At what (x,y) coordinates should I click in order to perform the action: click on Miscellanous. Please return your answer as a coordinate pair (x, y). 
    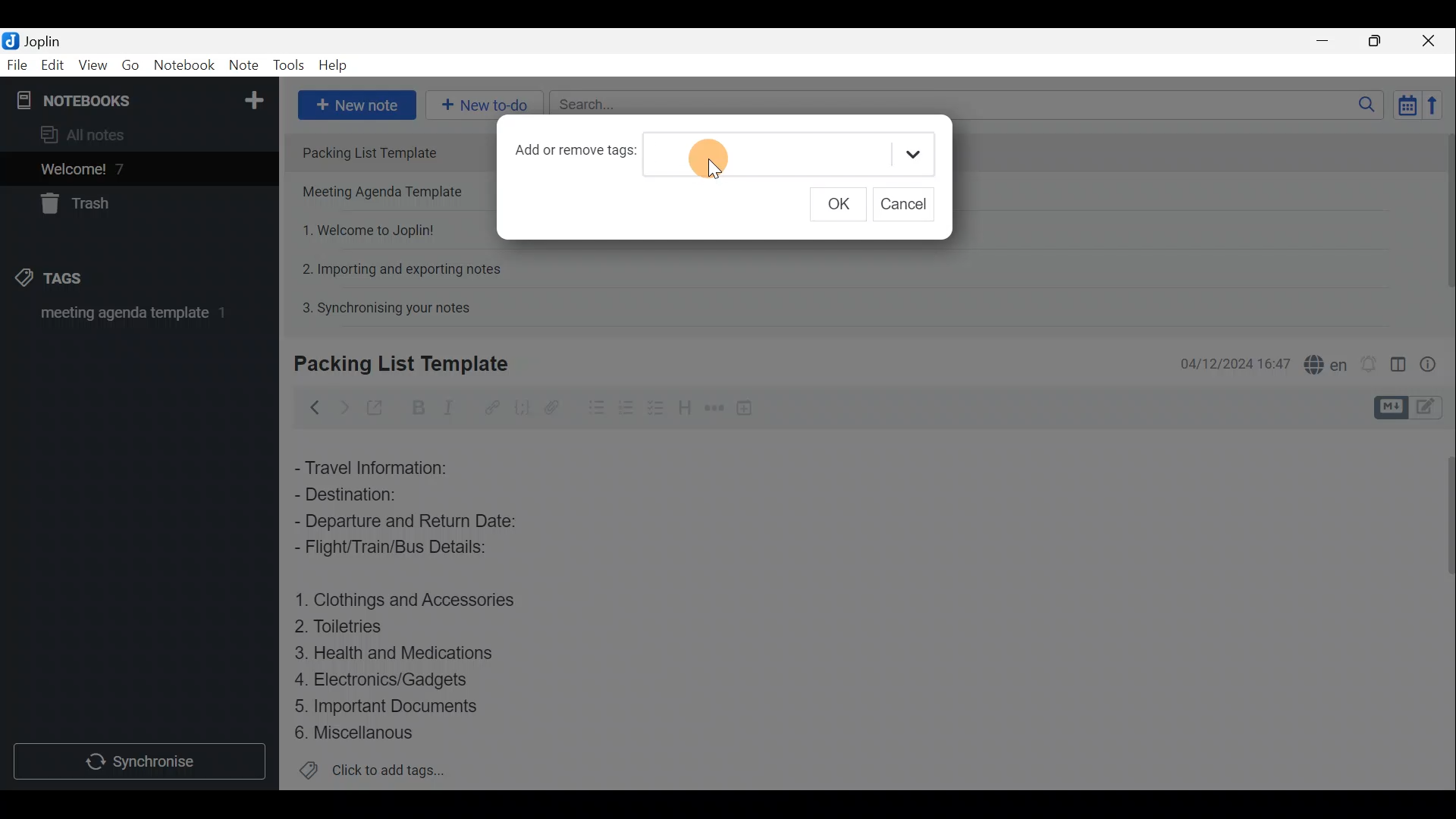
    Looking at the image, I should click on (356, 733).